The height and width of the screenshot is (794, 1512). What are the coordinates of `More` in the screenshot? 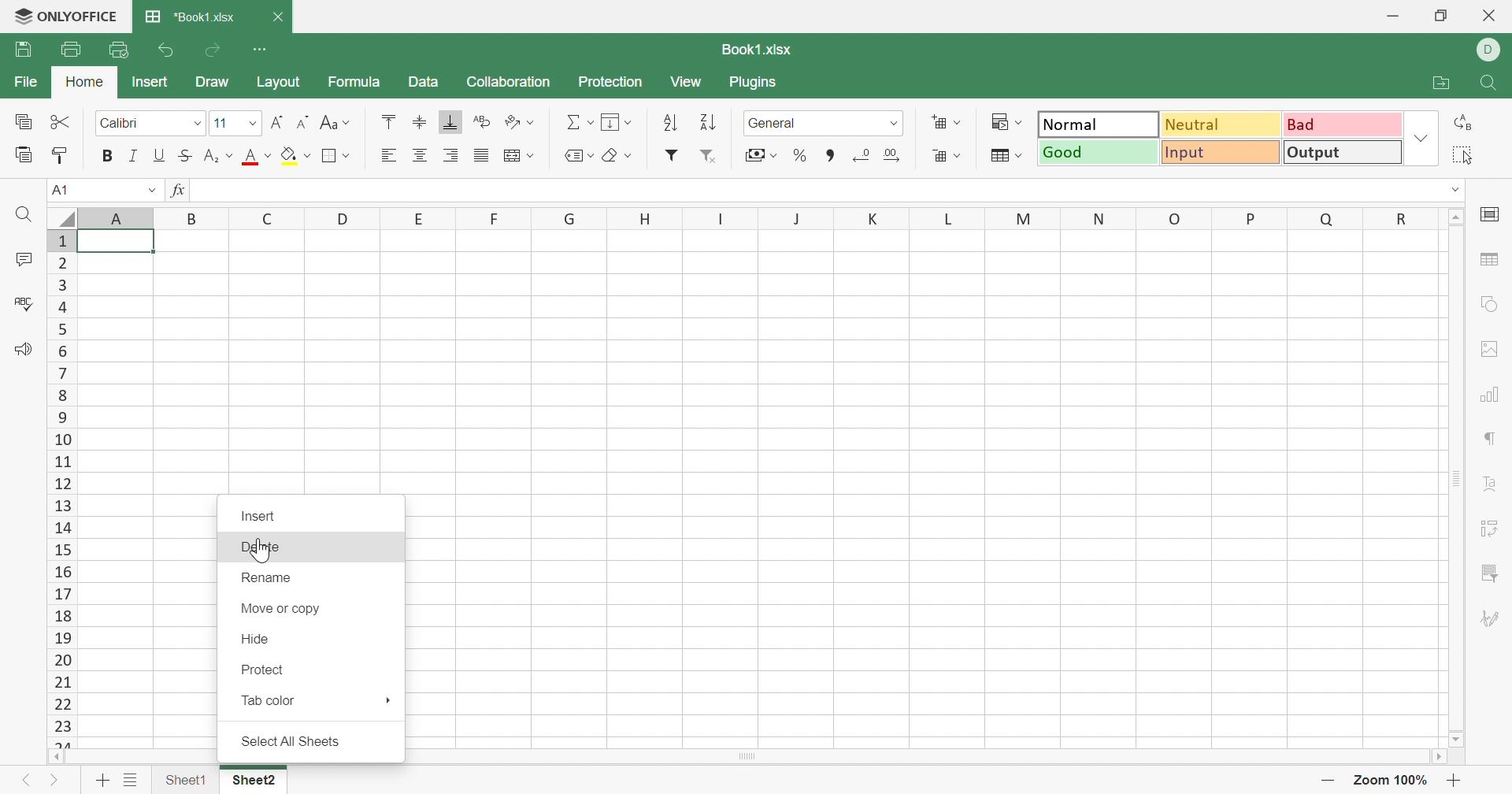 It's located at (387, 699).